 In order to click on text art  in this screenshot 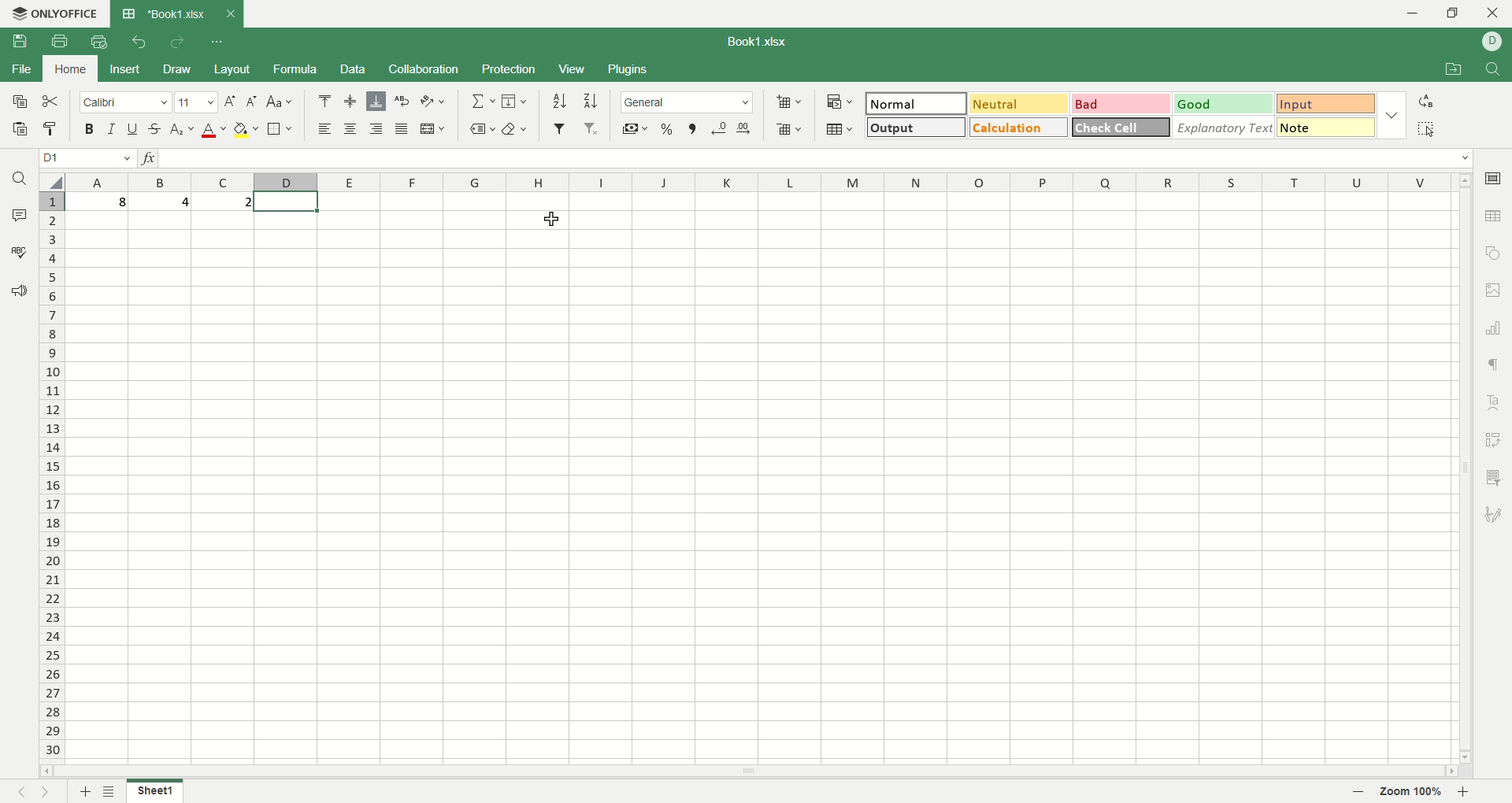, I will do `click(1495, 404)`.